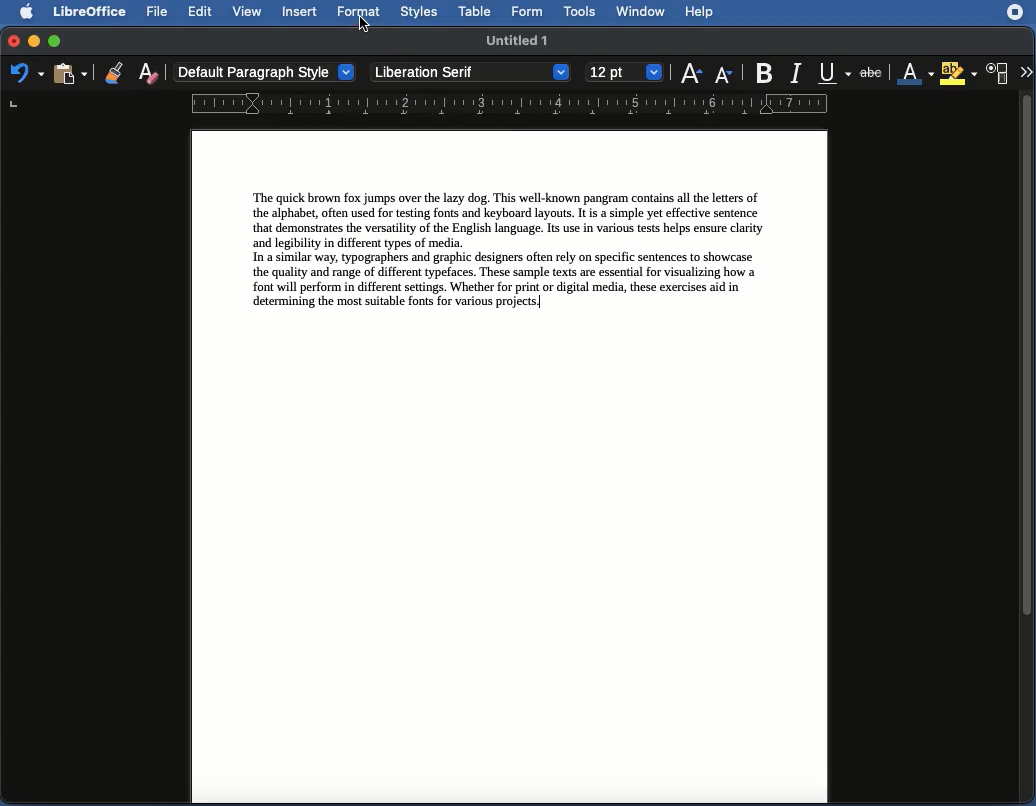 This screenshot has height=806, width=1036. What do you see at coordinates (875, 73) in the screenshot?
I see `Strikethrough` at bounding box center [875, 73].